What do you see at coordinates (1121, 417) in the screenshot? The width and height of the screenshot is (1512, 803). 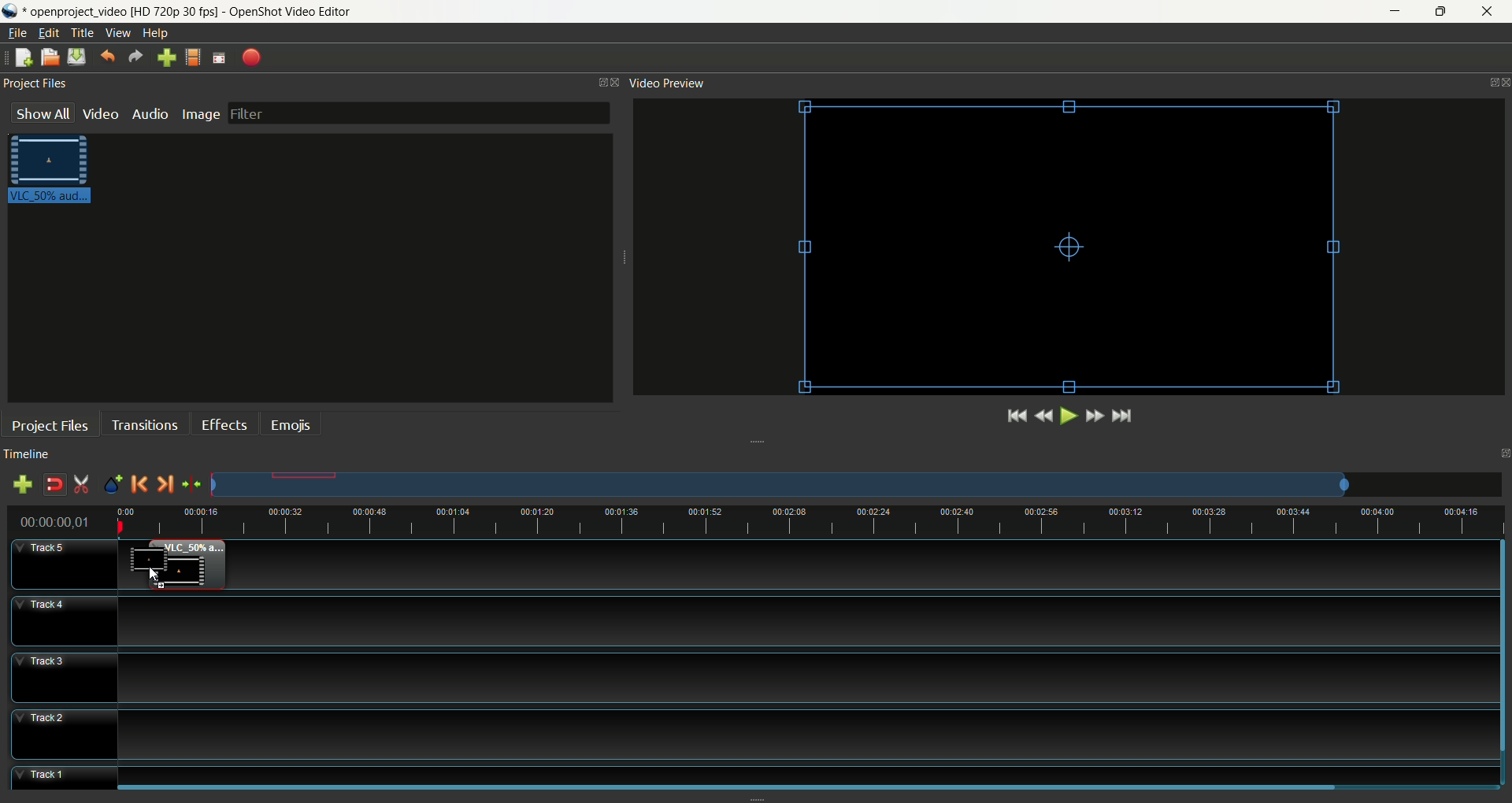 I see `jump to end` at bounding box center [1121, 417].